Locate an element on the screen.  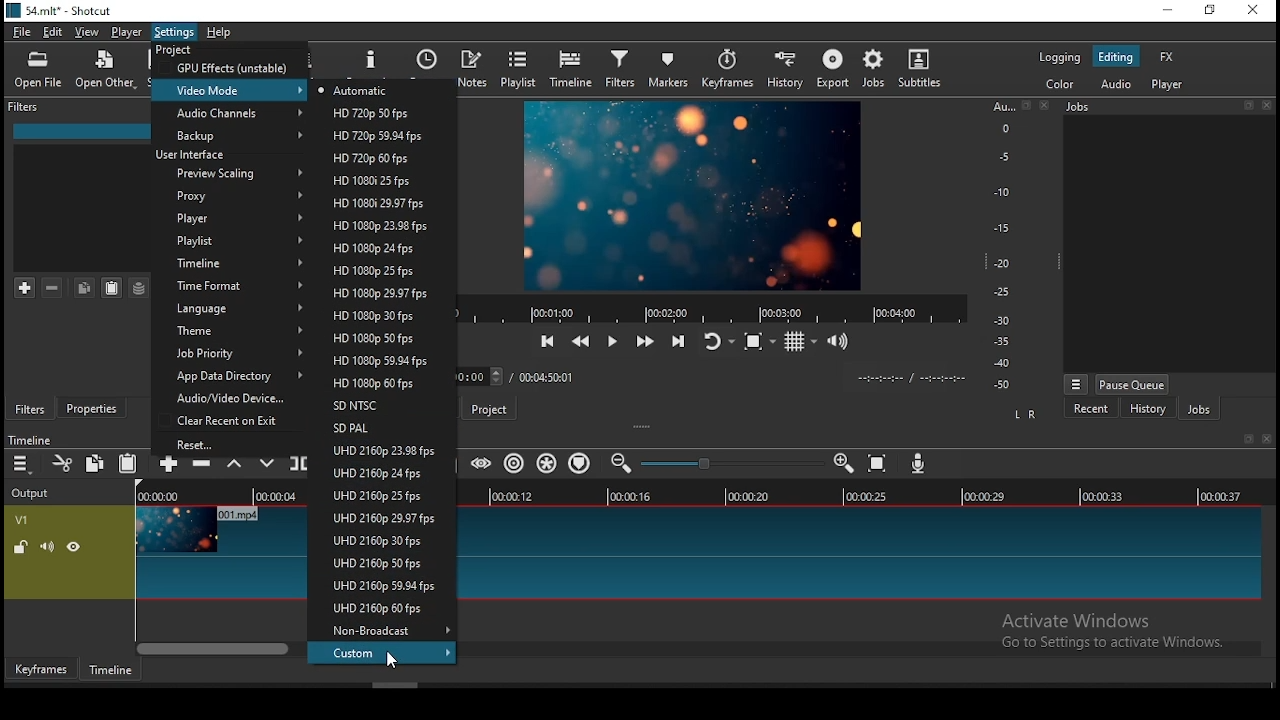
timeline is located at coordinates (573, 69).